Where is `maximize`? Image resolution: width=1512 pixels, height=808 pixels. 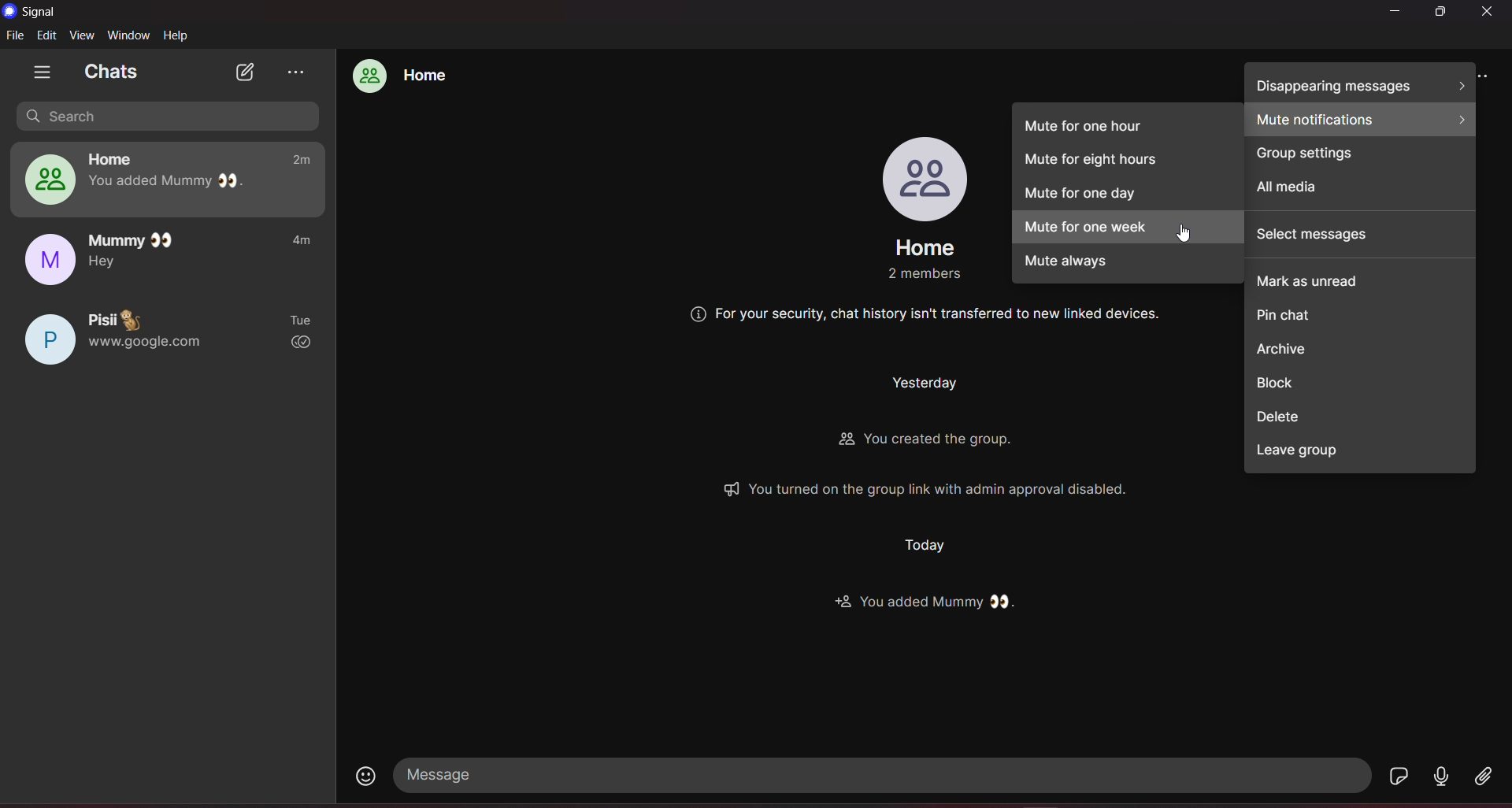 maximize is located at coordinates (1442, 14).